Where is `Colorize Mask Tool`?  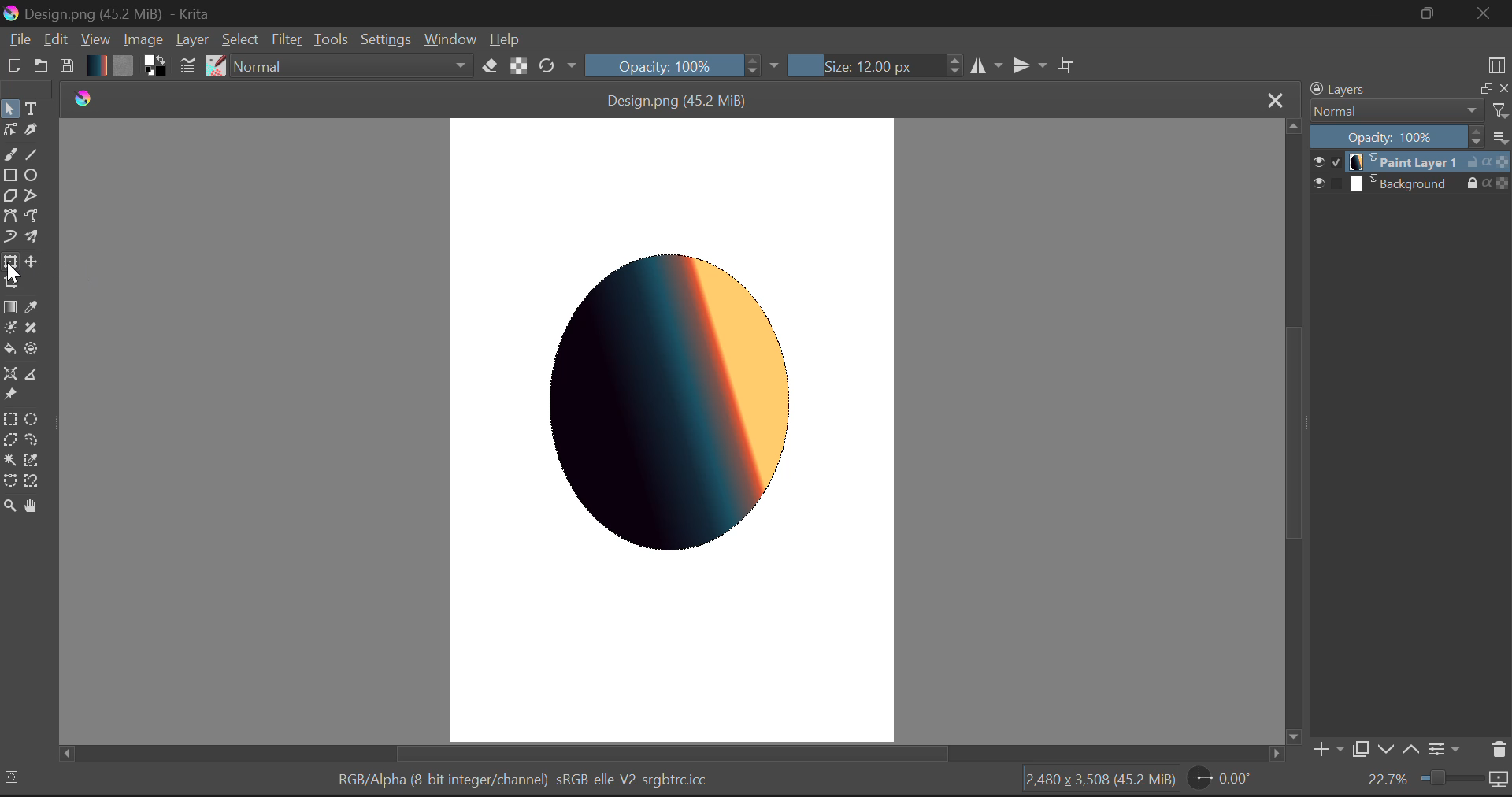 Colorize Mask Tool is located at coordinates (9, 328).